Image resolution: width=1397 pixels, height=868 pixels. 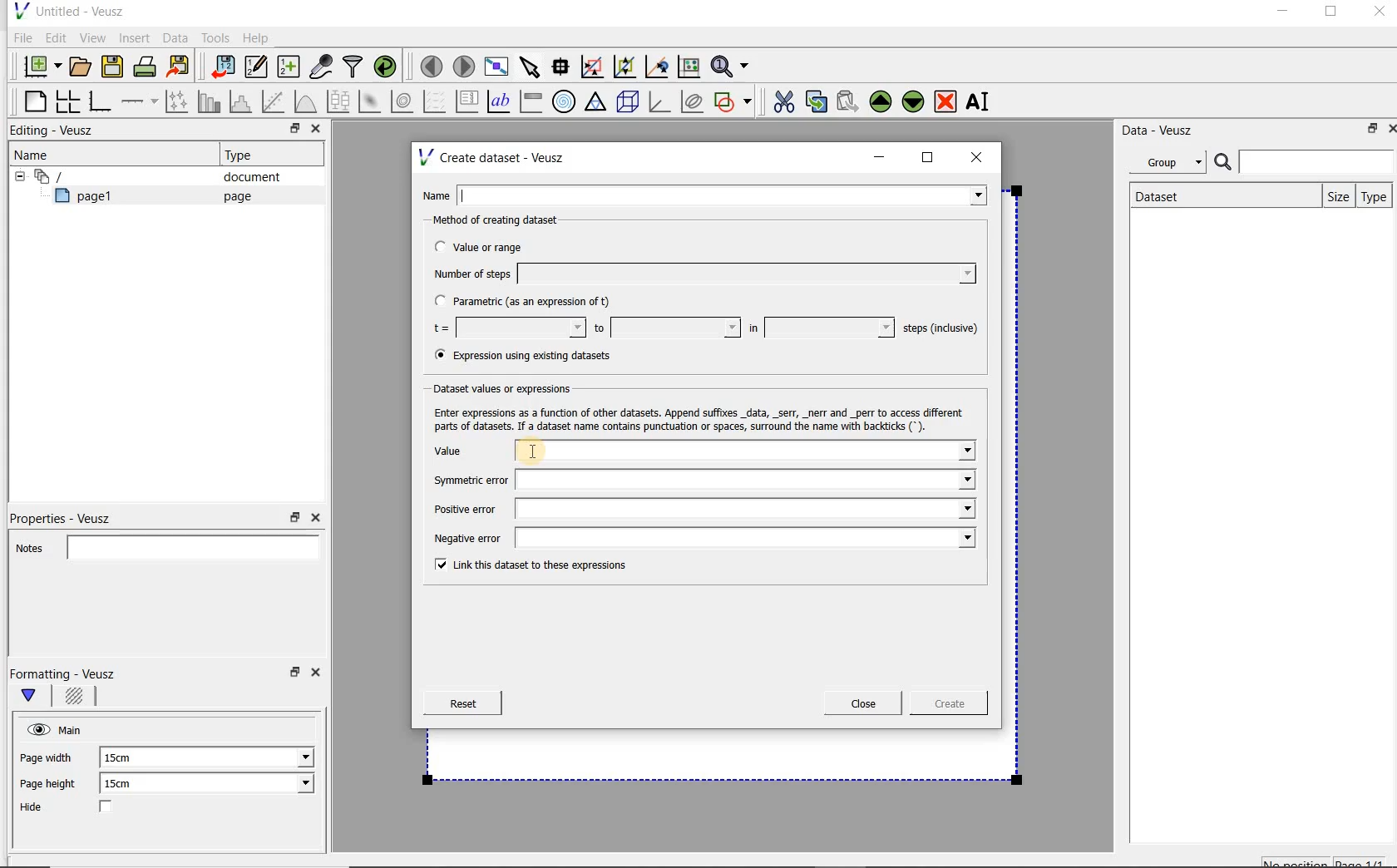 I want to click on Help, so click(x=258, y=37).